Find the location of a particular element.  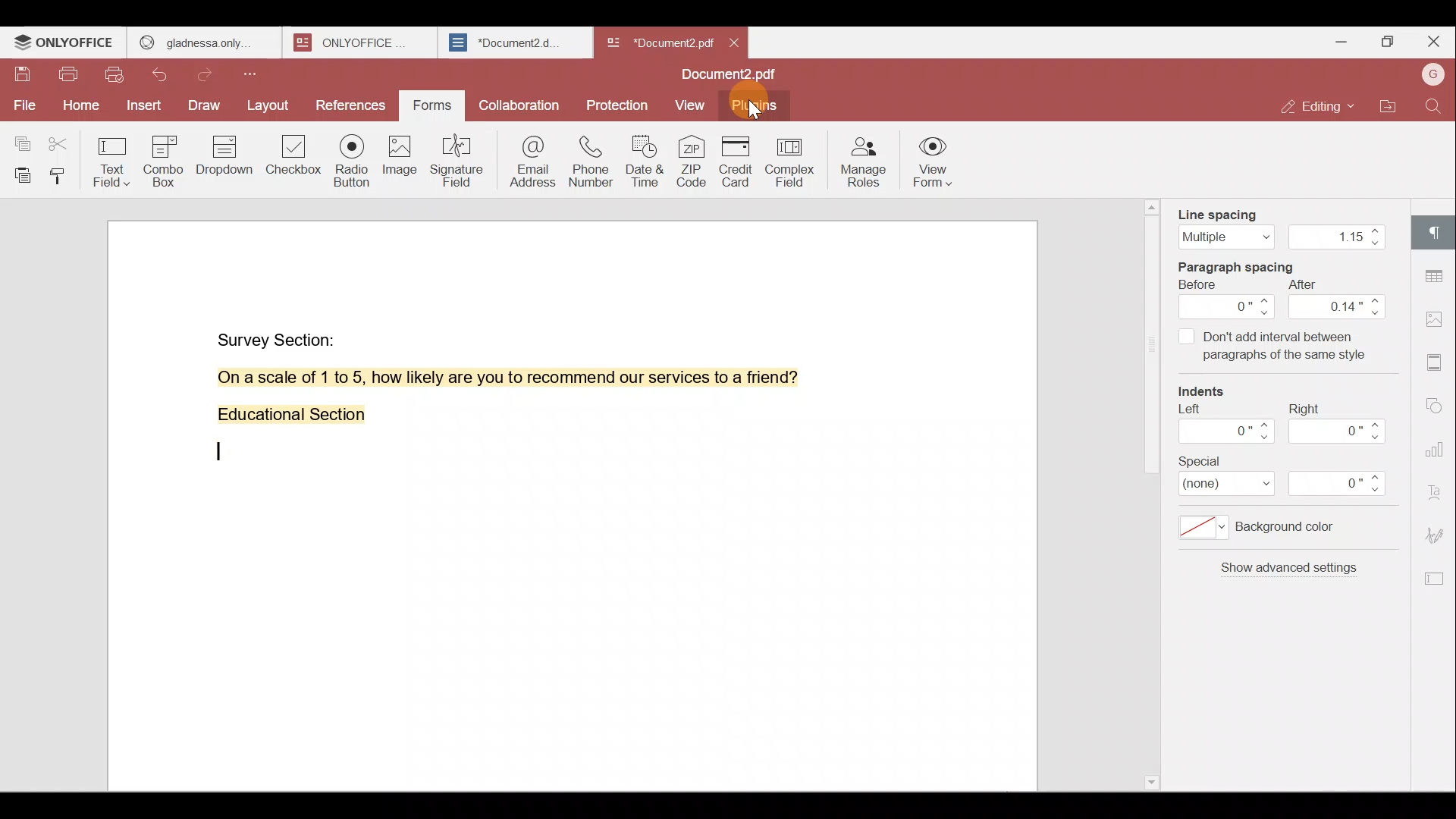

Document2.d is located at coordinates (514, 43).